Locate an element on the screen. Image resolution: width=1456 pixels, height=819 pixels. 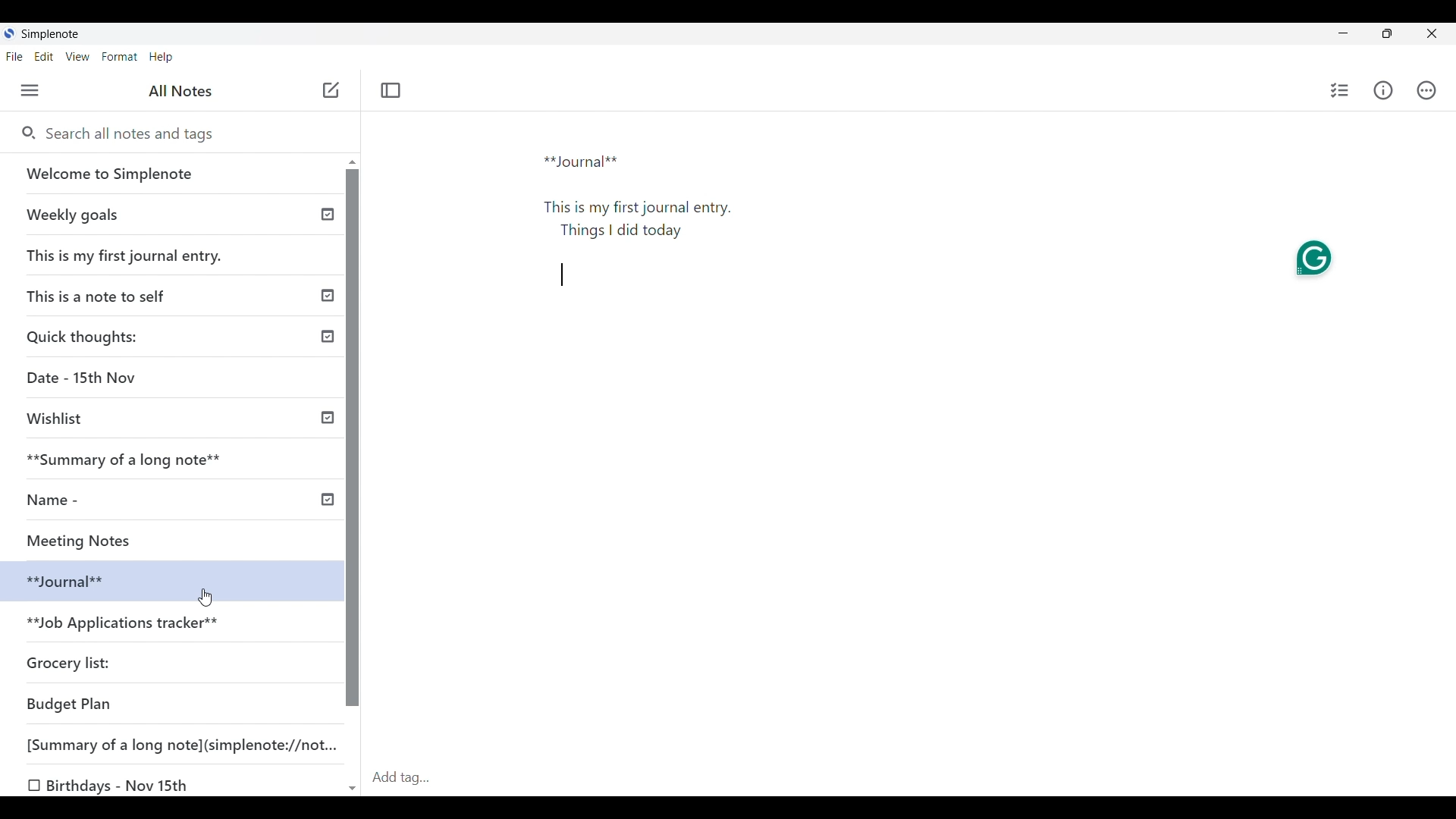
Show interface in a smaller tab is located at coordinates (1387, 33).